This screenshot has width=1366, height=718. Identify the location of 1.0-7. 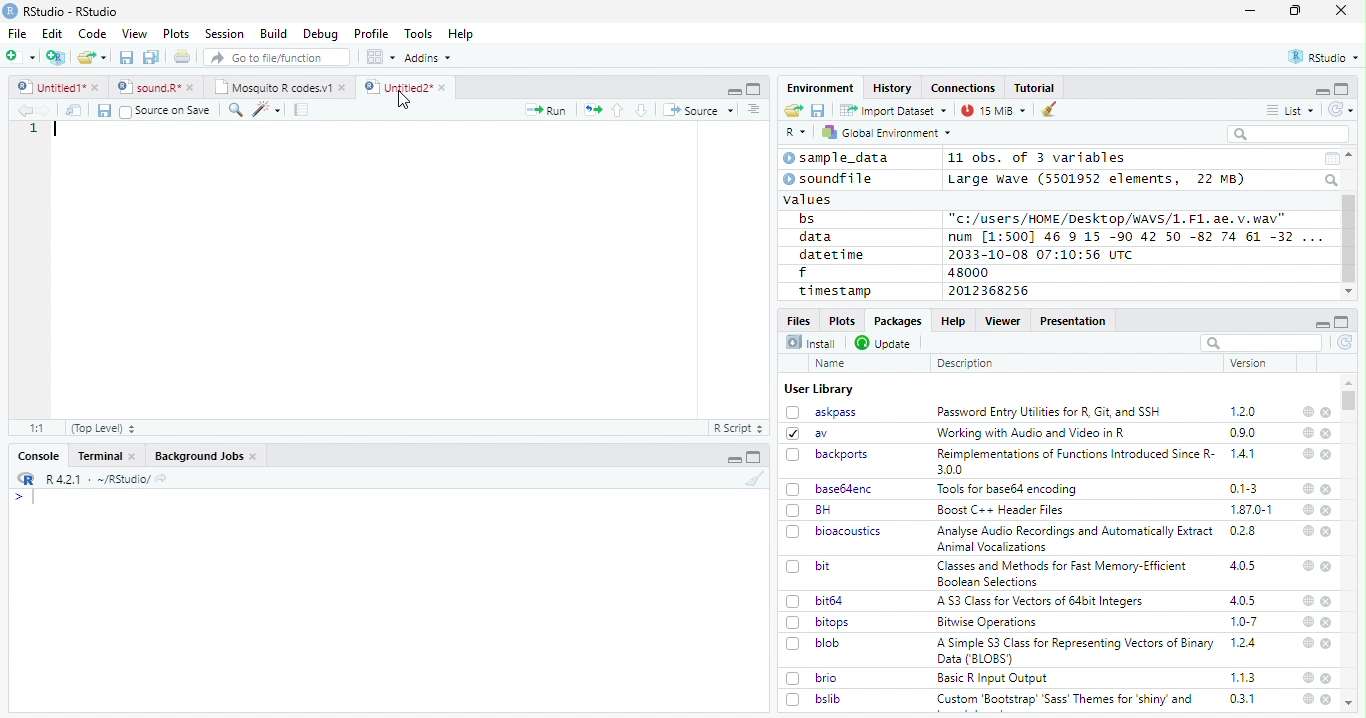
(1245, 622).